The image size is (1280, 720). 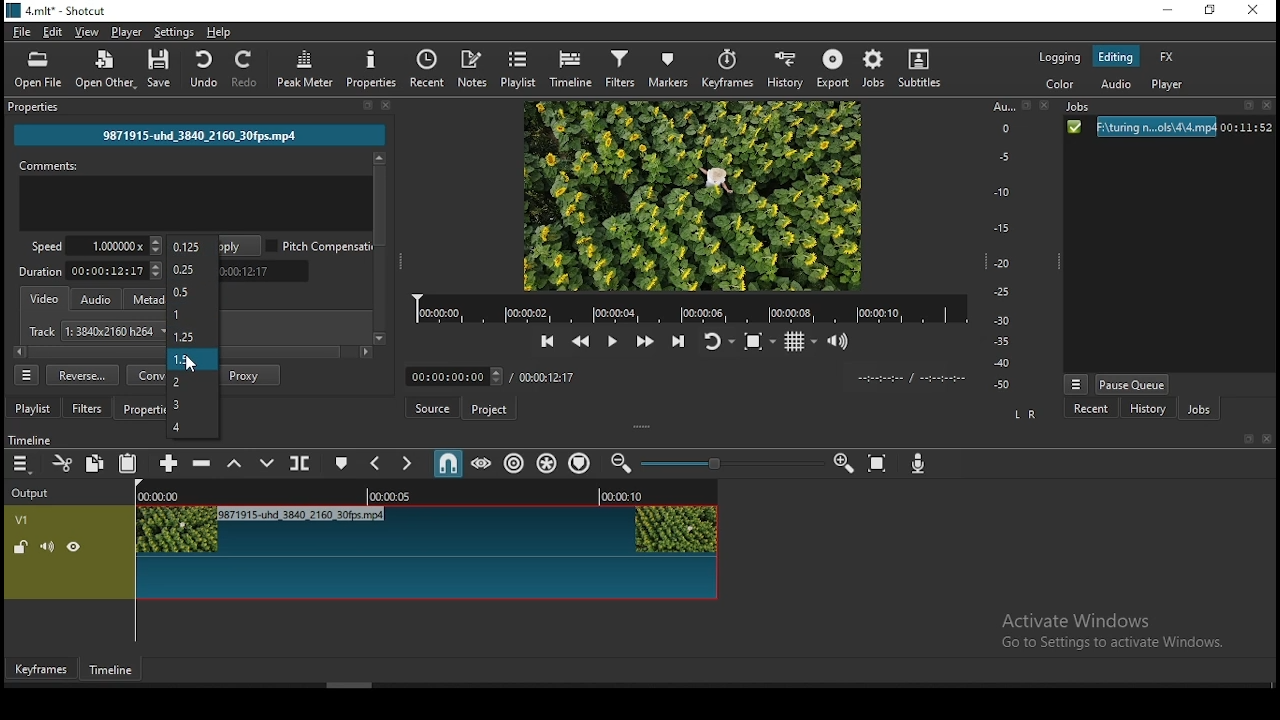 I want to click on 1.25, so click(x=192, y=334).